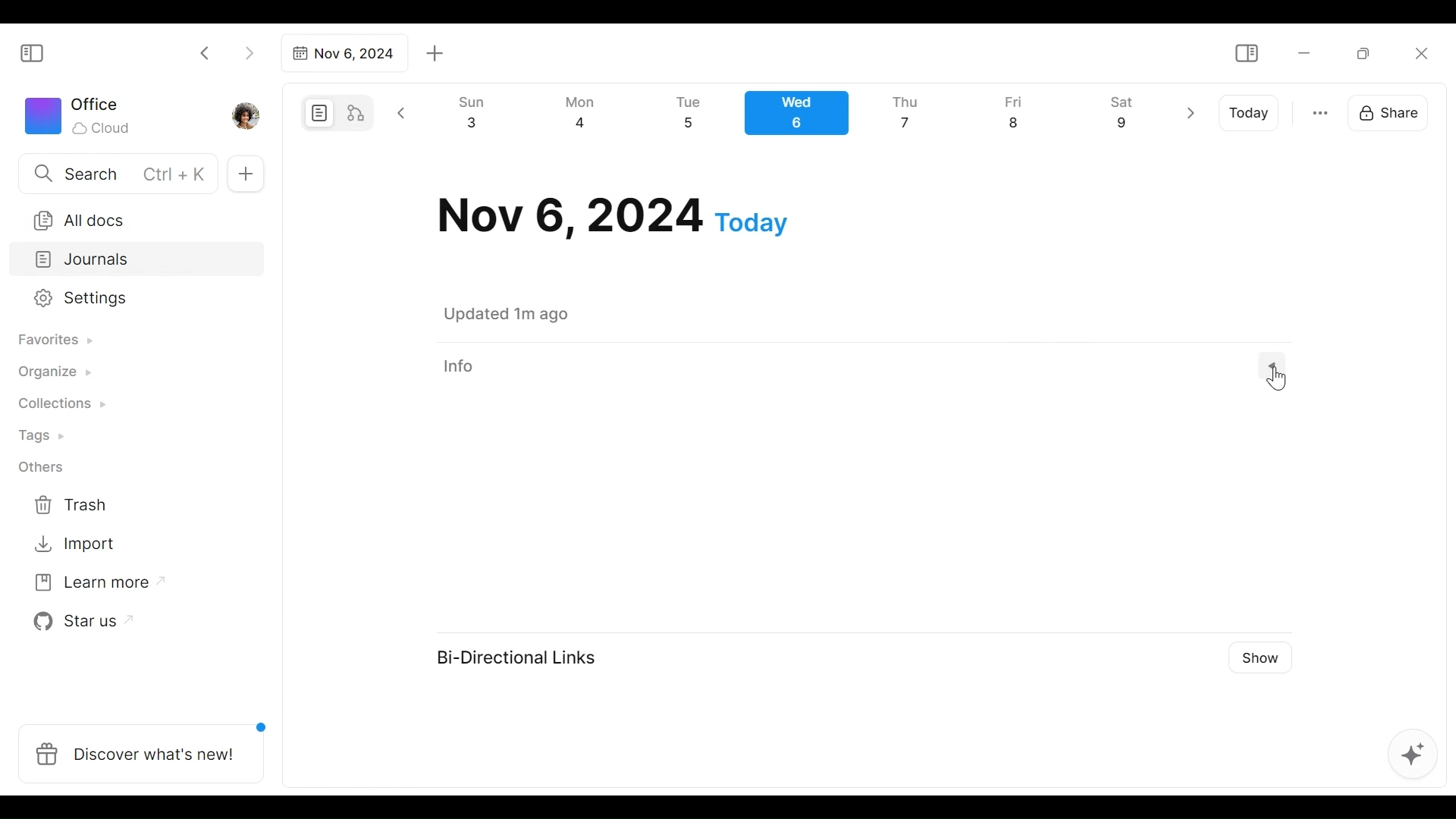 Image resolution: width=1456 pixels, height=819 pixels. What do you see at coordinates (43, 438) in the screenshot?
I see `Tags` at bounding box center [43, 438].